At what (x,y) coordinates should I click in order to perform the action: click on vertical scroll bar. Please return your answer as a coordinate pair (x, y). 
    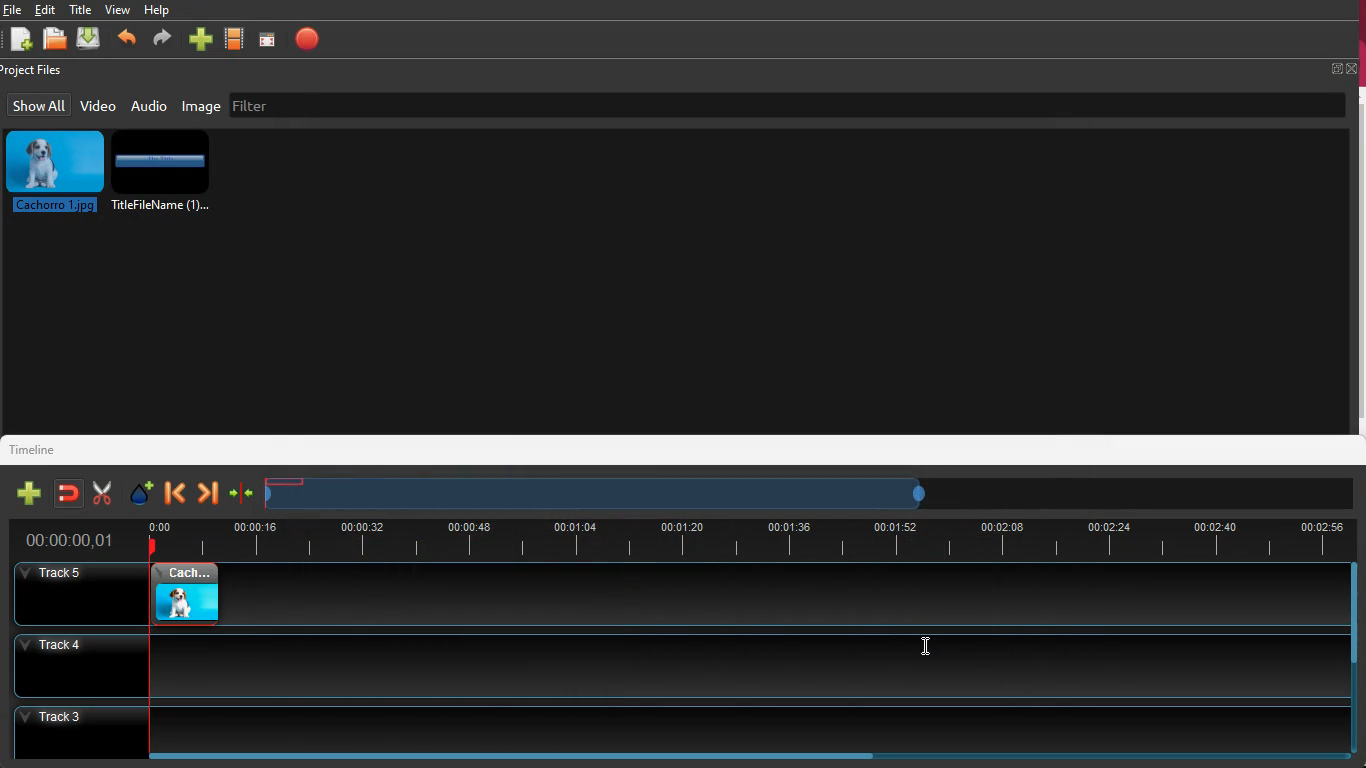
    Looking at the image, I should click on (1357, 262).